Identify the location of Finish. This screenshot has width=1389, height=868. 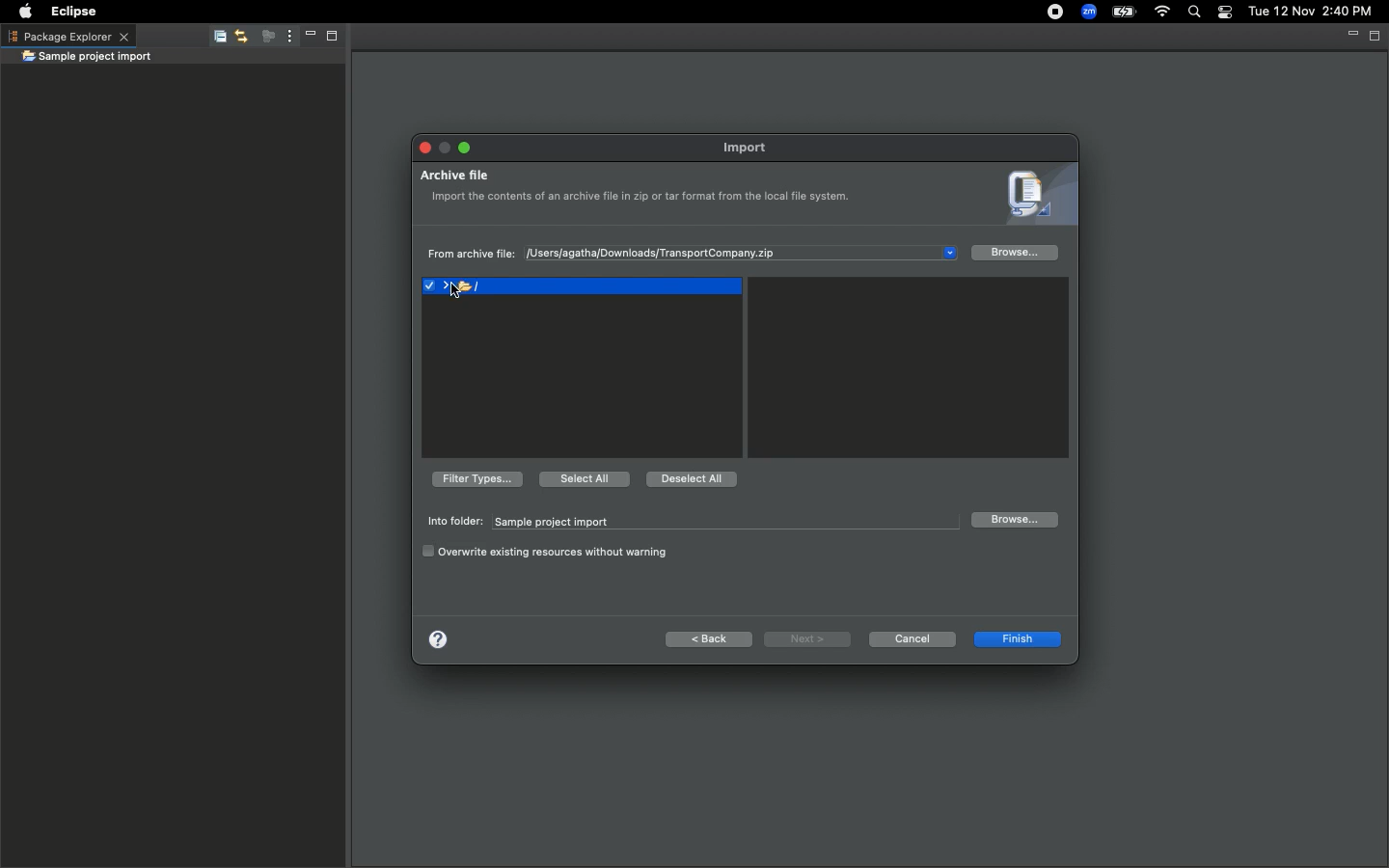
(1016, 641).